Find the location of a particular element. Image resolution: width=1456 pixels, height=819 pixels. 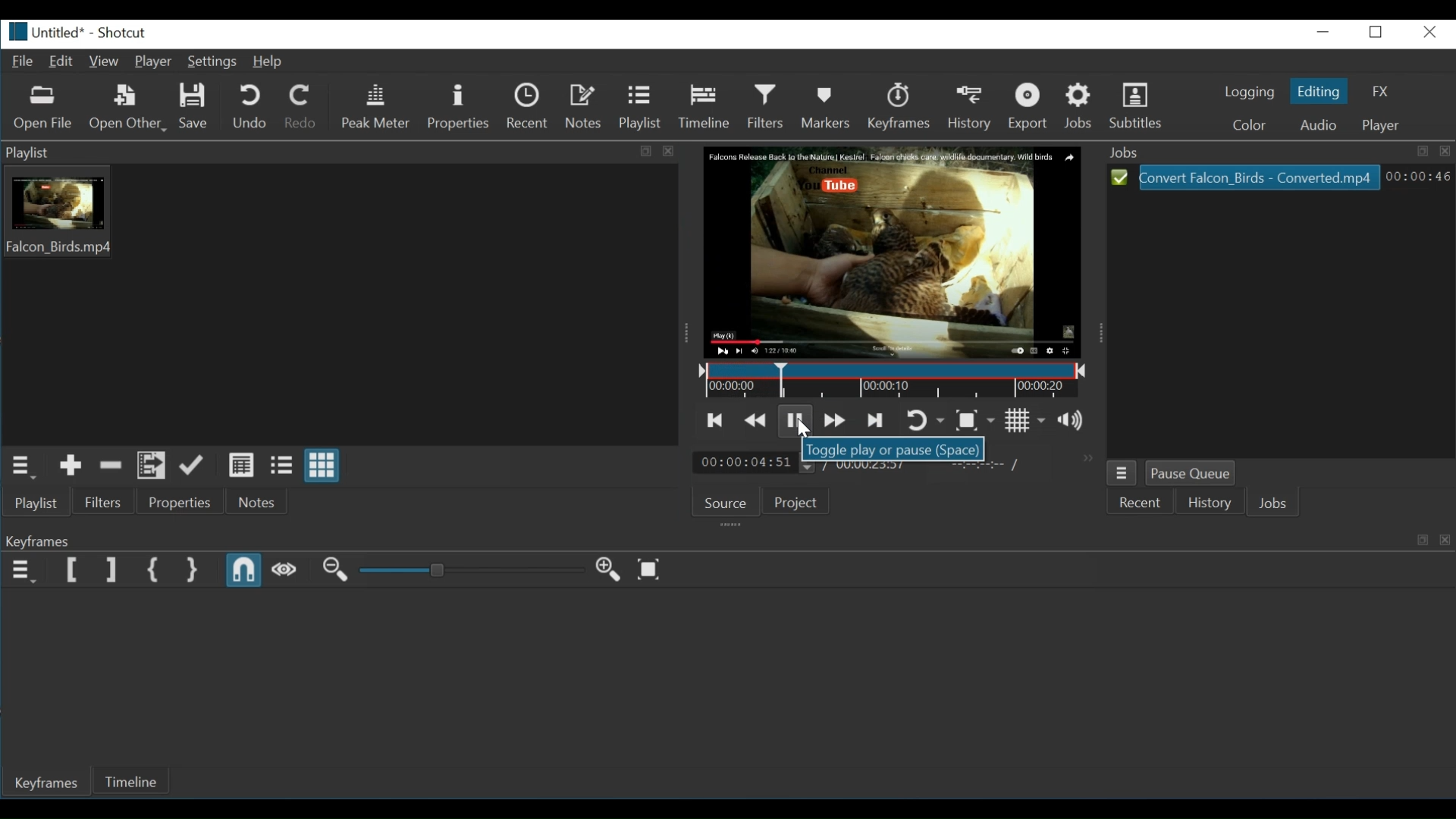

Set Second Simple Keyframe is located at coordinates (188, 570).